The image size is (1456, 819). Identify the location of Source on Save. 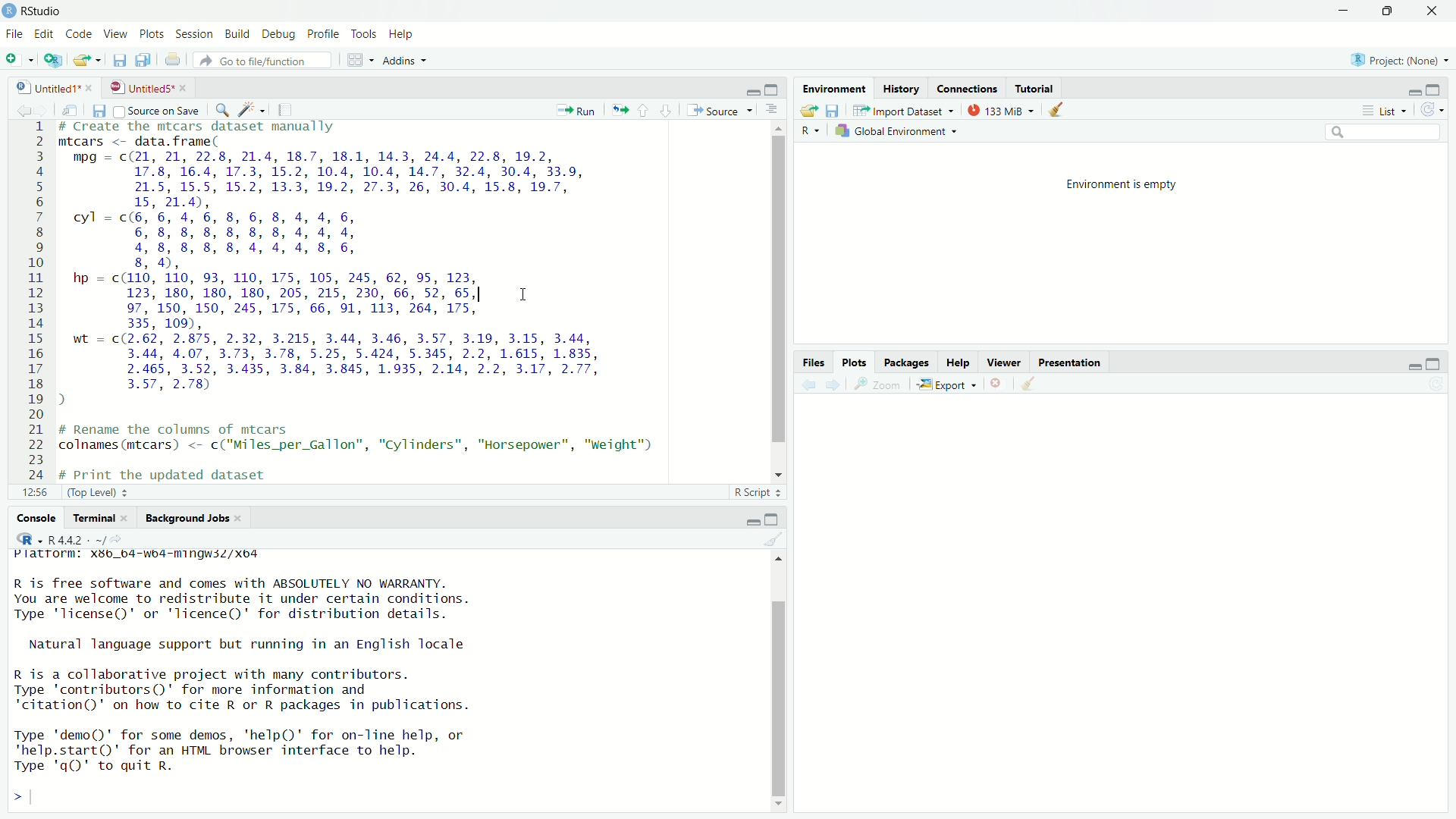
(158, 111).